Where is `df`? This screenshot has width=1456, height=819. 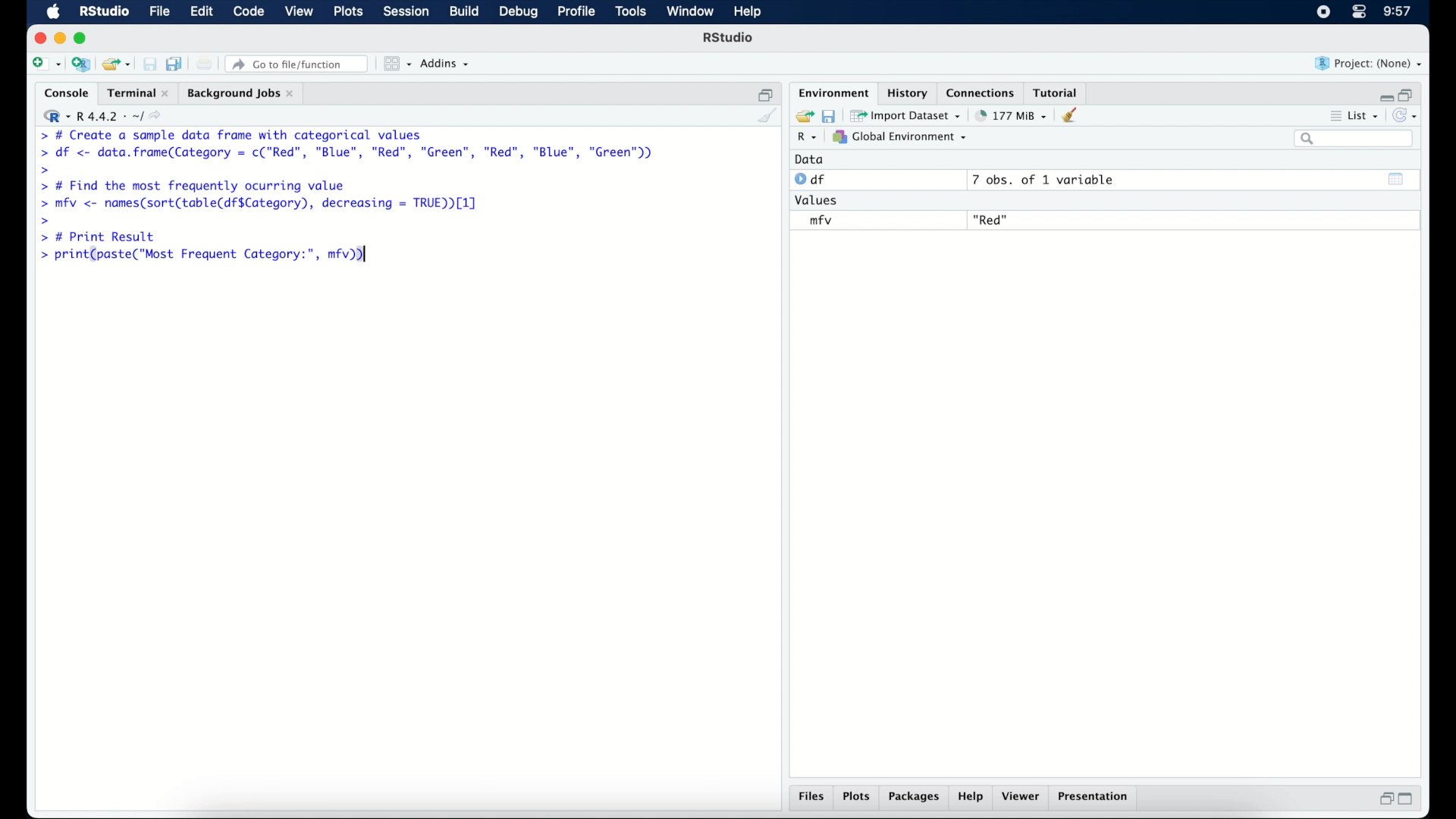
df is located at coordinates (811, 180).